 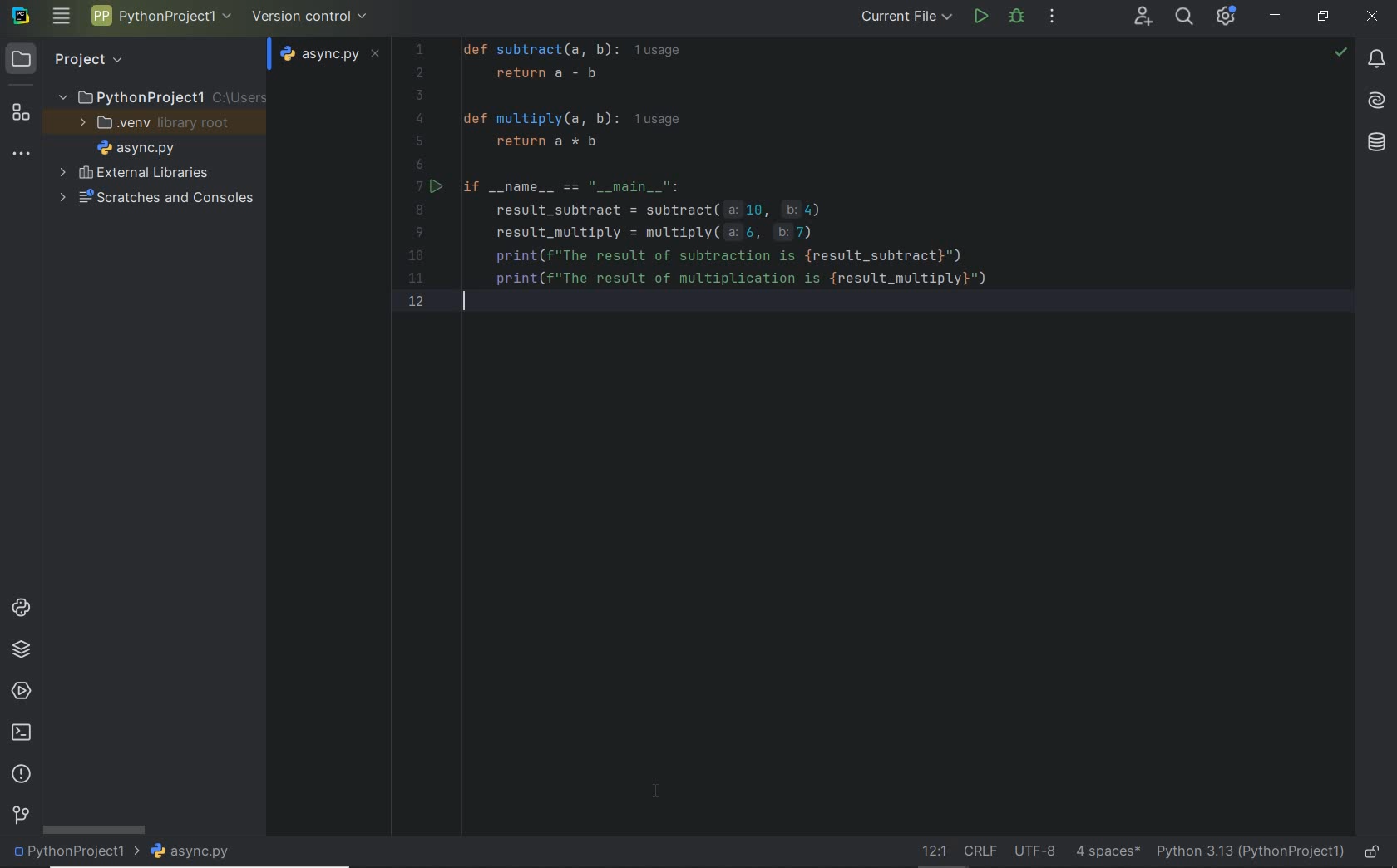 What do you see at coordinates (1375, 853) in the screenshot?
I see `make file ready only` at bounding box center [1375, 853].